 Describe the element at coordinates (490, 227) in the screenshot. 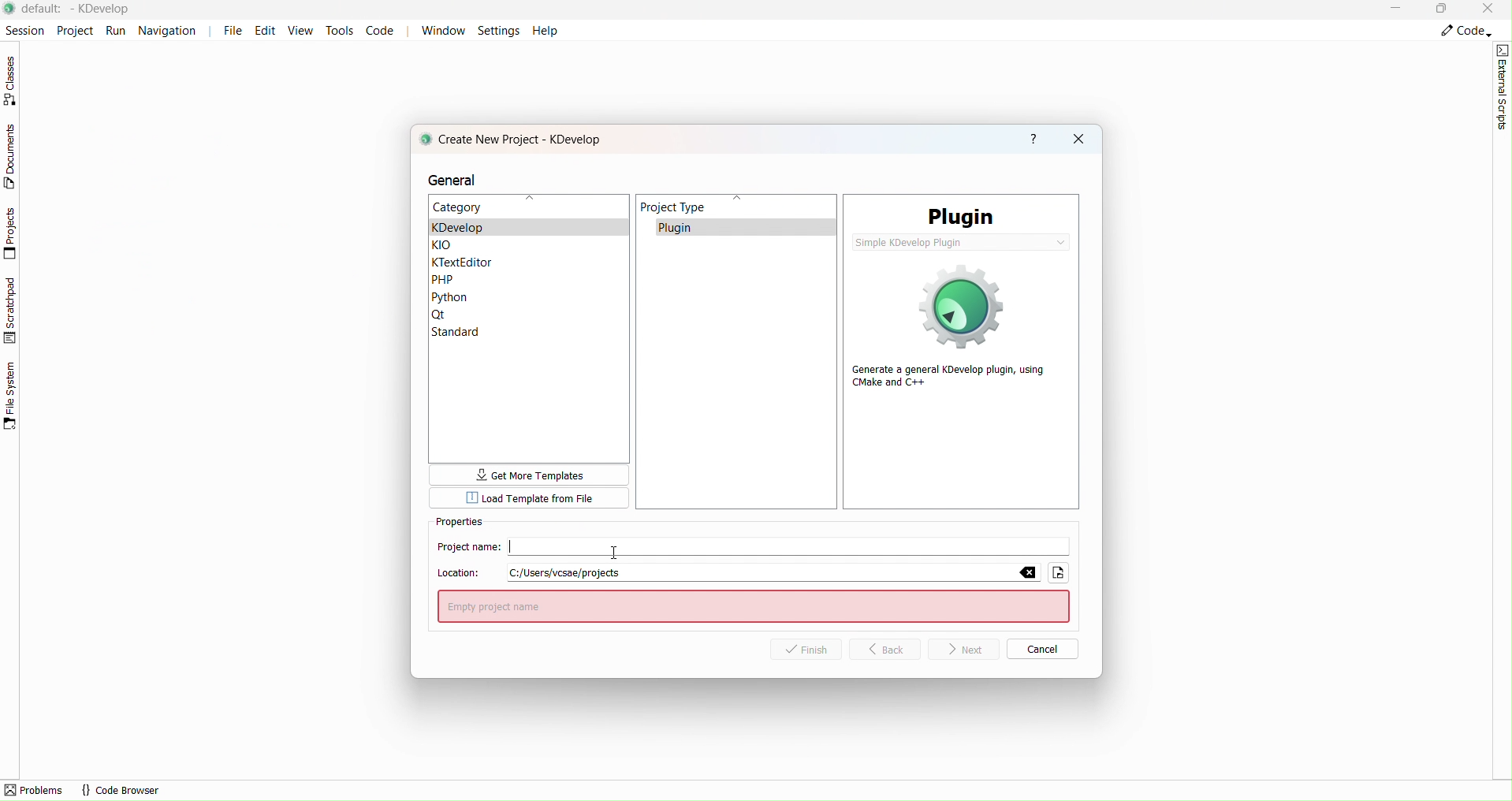

I see `kdevelop` at that location.